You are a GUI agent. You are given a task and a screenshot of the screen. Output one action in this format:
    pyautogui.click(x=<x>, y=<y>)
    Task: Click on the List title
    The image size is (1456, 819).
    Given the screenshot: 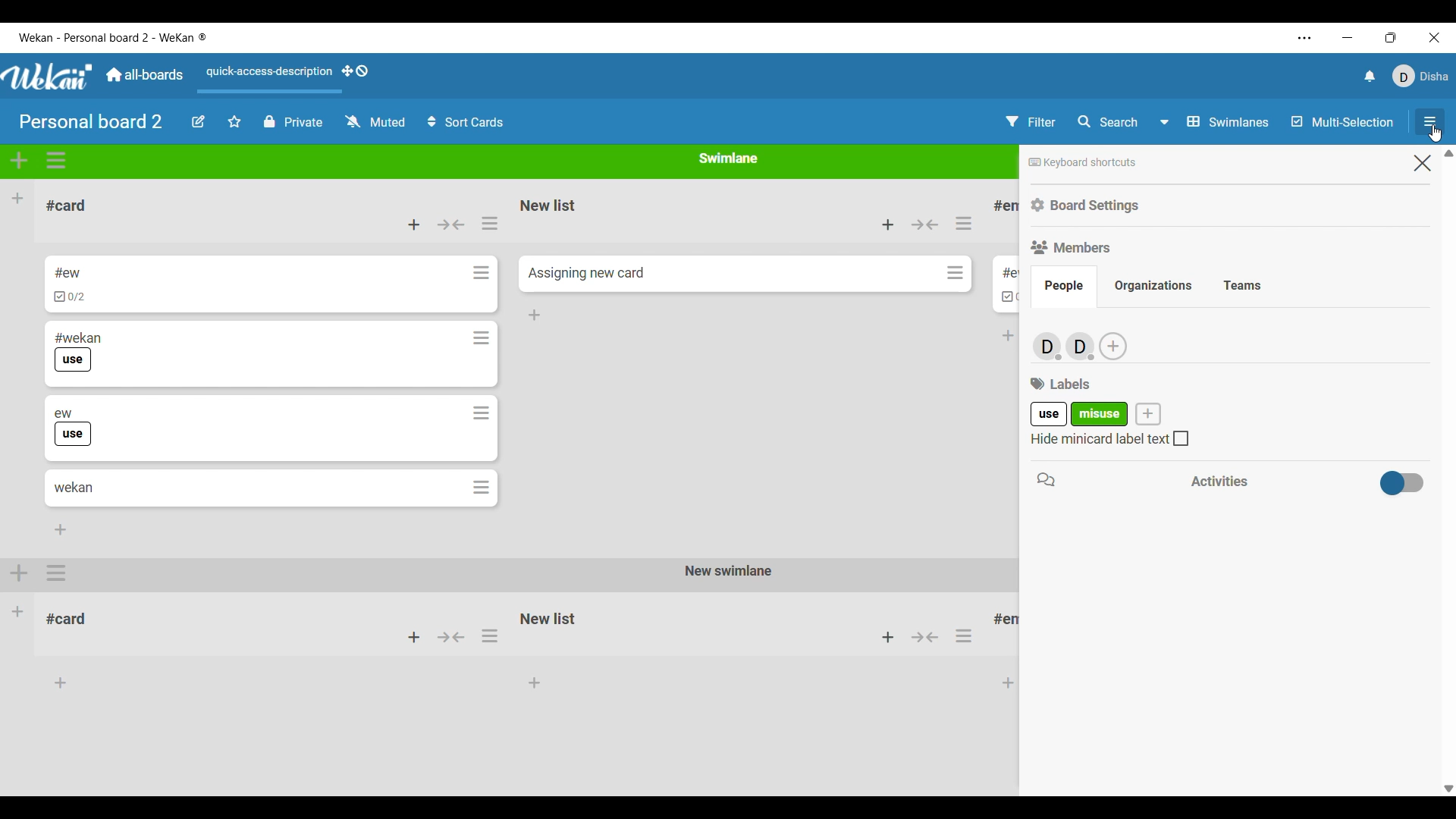 What is the action you would take?
    pyautogui.click(x=1007, y=206)
    